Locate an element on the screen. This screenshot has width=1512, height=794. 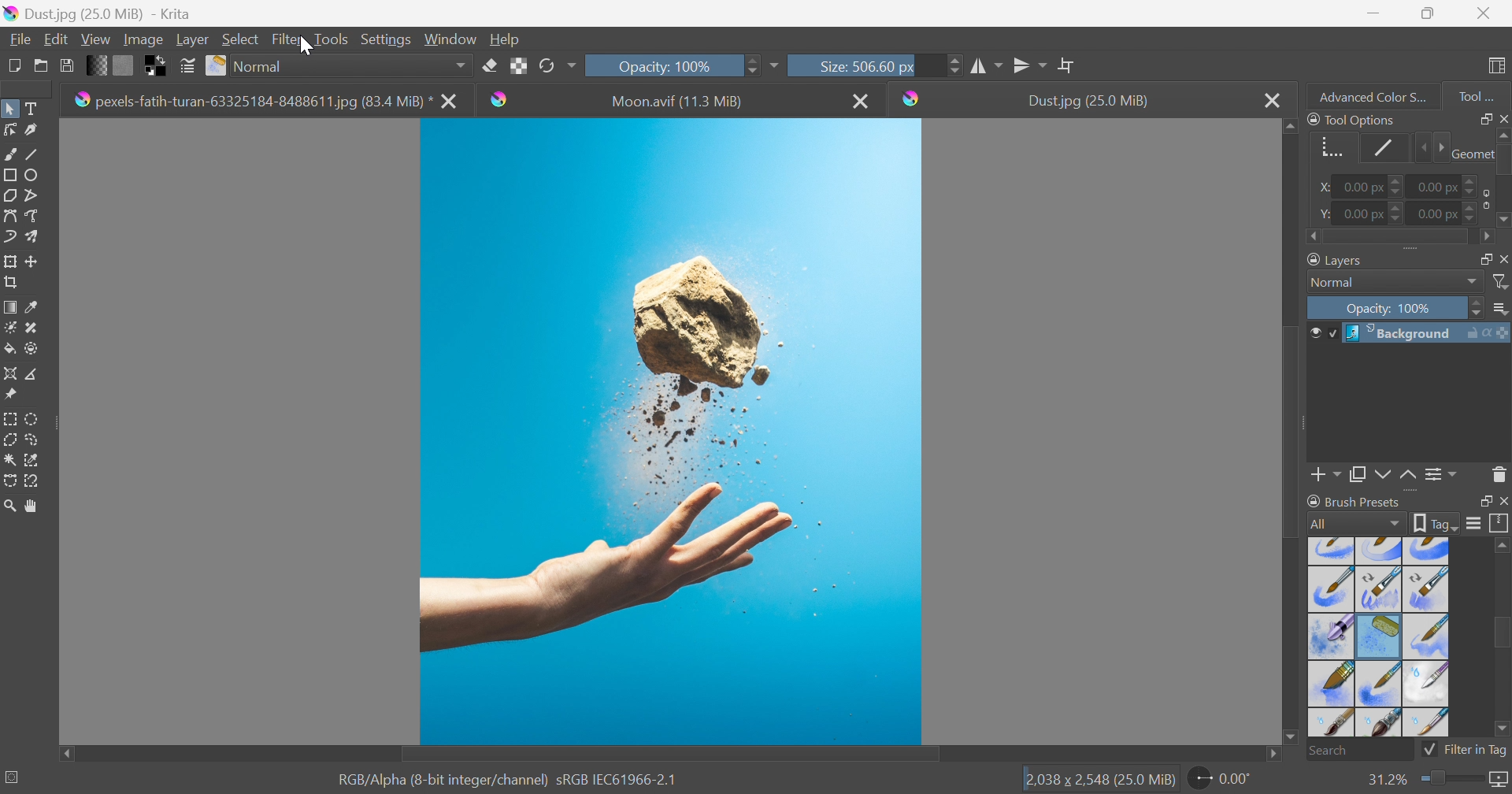
Edit is located at coordinates (55, 39).